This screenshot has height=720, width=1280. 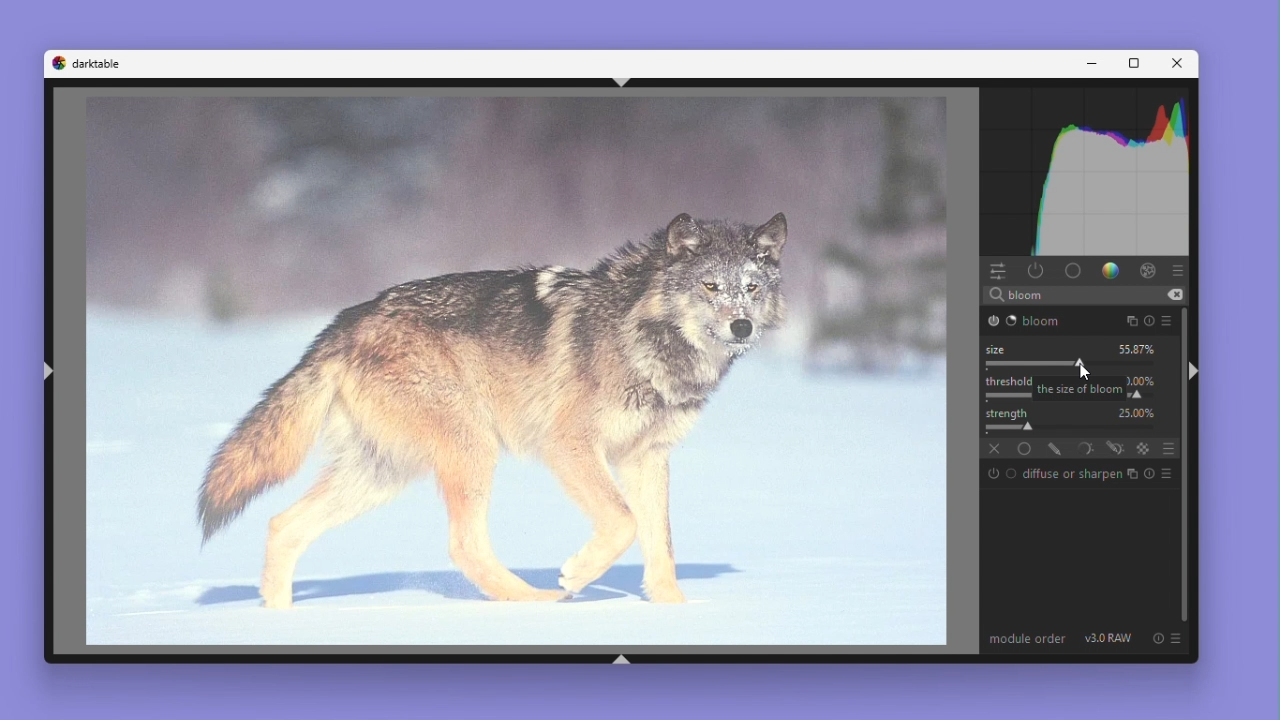 I want to click on Diffuse or sharpen, so click(x=1070, y=473).